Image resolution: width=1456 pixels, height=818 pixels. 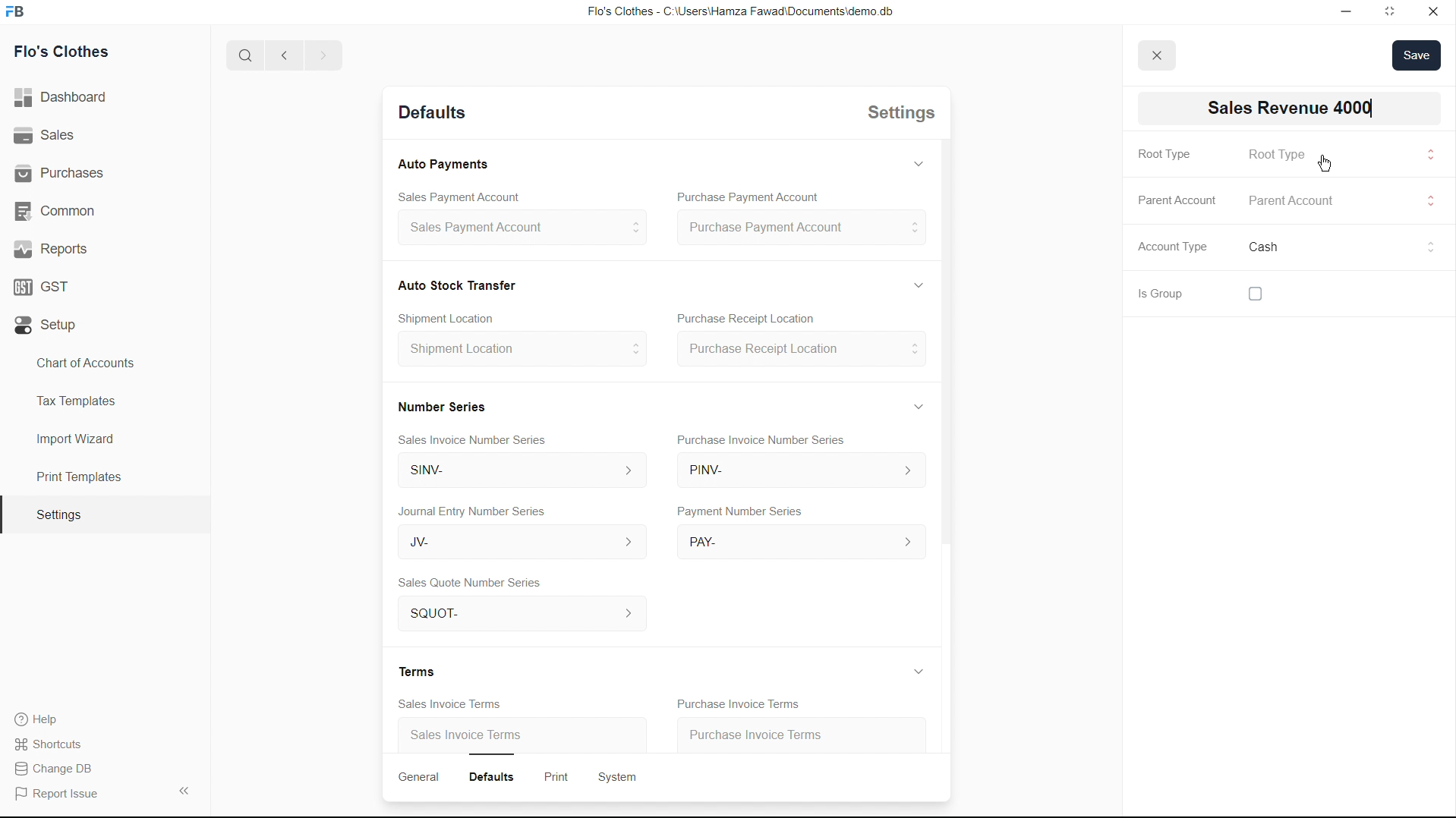 I want to click on GST, so click(x=47, y=283).